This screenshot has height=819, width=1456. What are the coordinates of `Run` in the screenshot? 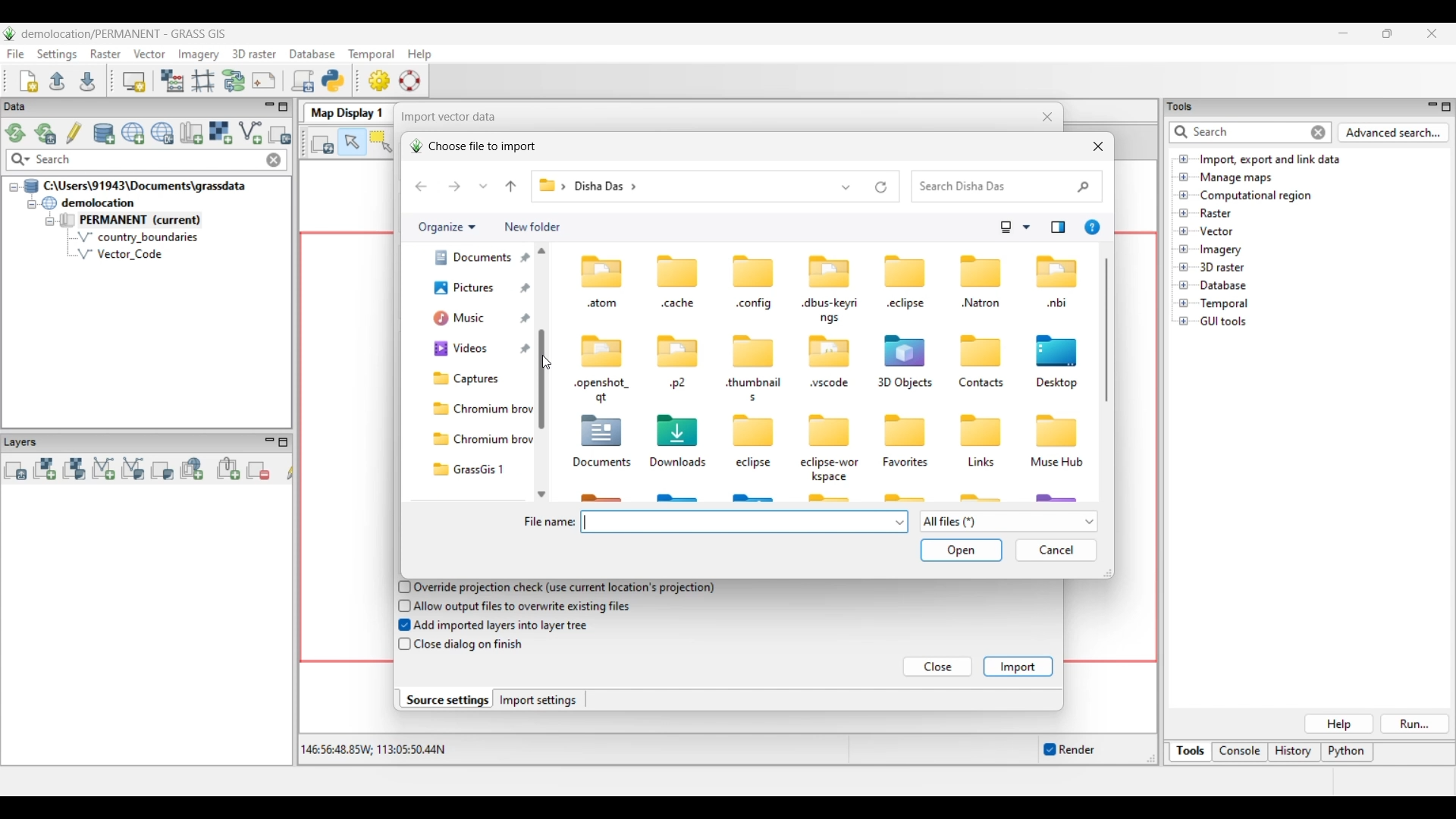 It's located at (1416, 724).